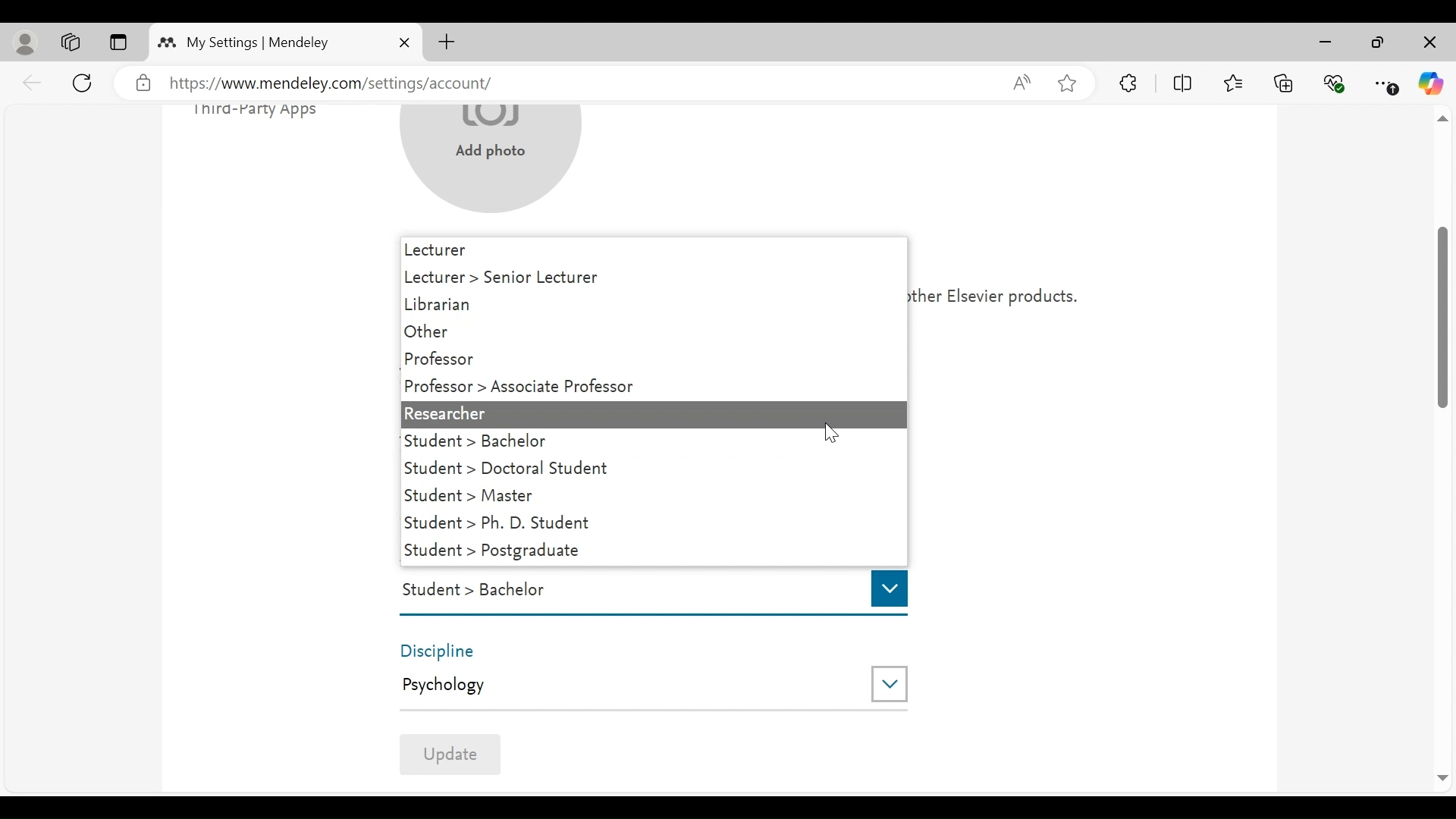 This screenshot has width=1456, height=819. I want to click on https://www.mendeley.com/settings/account/, so click(578, 84).